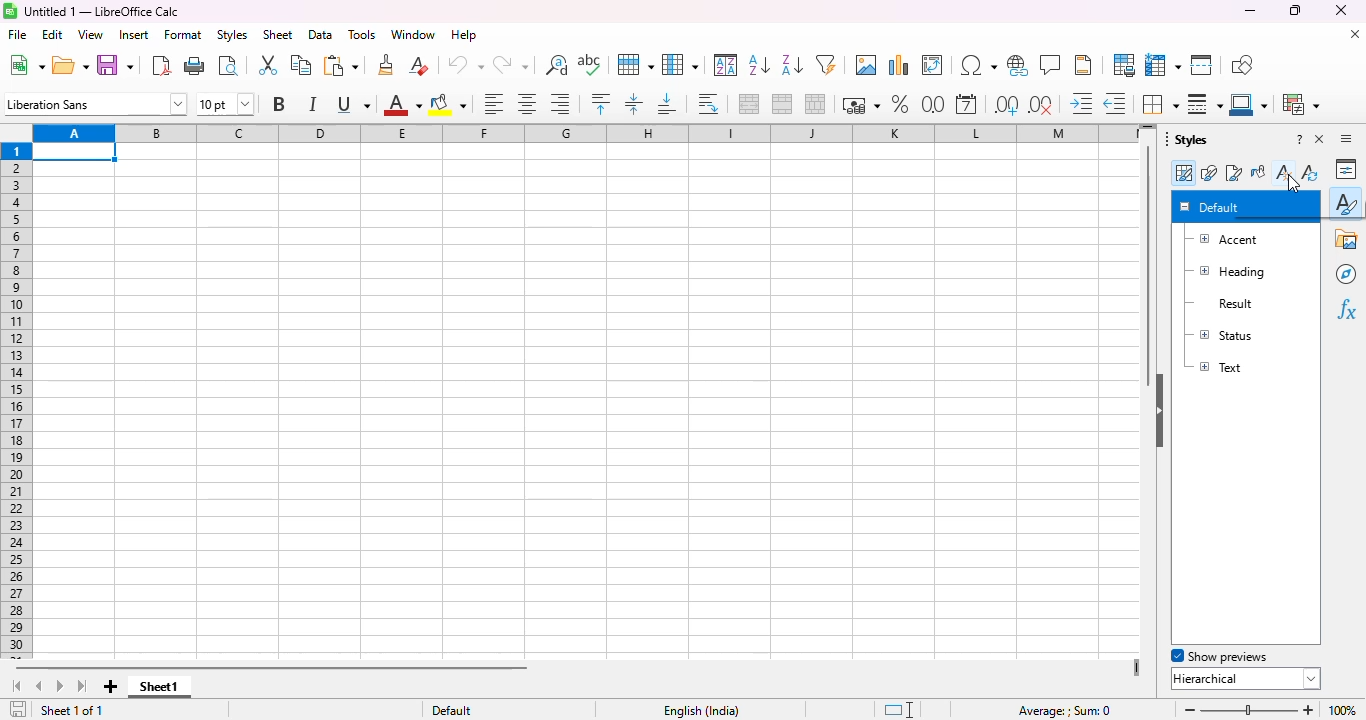 This screenshot has height=720, width=1366. Describe the element at coordinates (1080, 103) in the screenshot. I see `increase indent` at that location.